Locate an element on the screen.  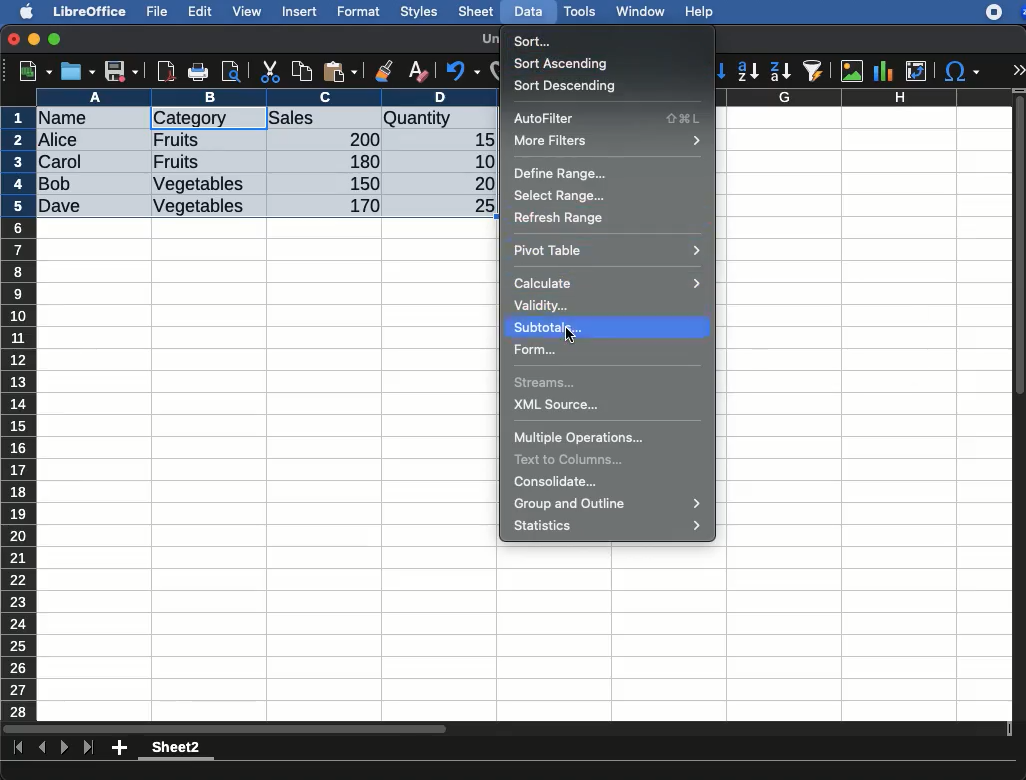
multiple operations is located at coordinates (580, 438).